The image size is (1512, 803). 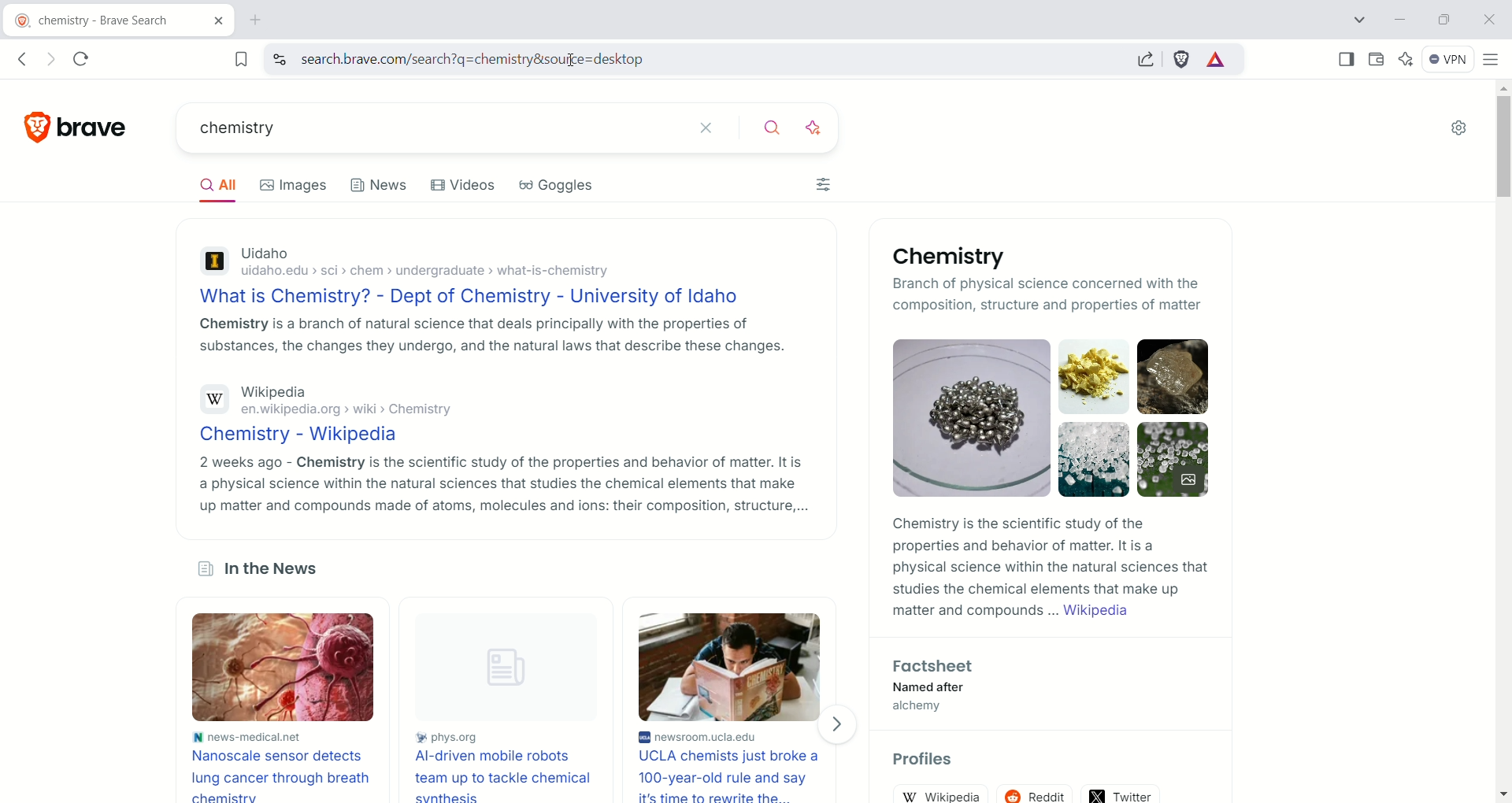 What do you see at coordinates (823, 184) in the screenshot?
I see `filters` at bounding box center [823, 184].